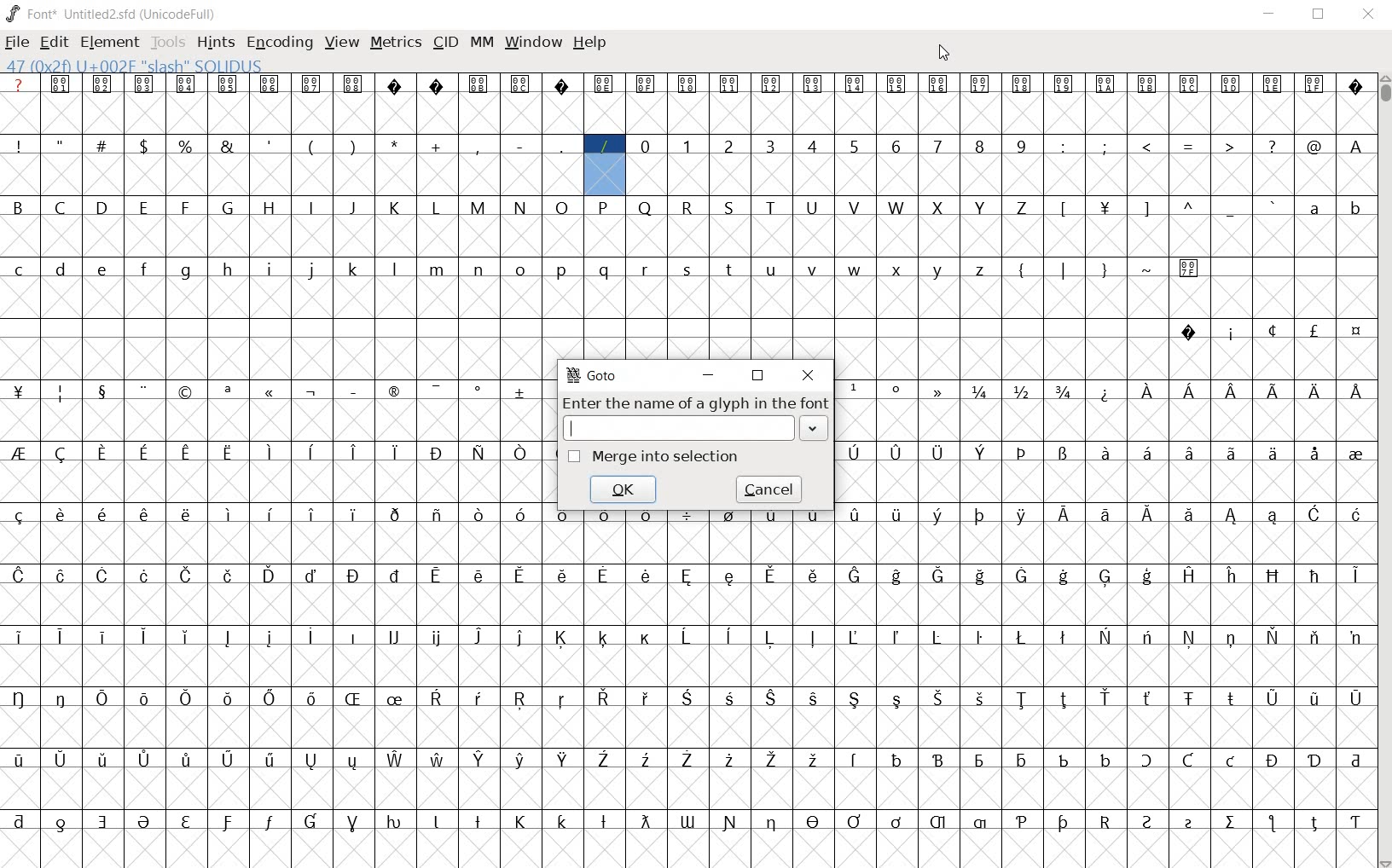 The height and width of the screenshot is (868, 1392). What do you see at coordinates (1231, 211) in the screenshot?
I see `glyph` at bounding box center [1231, 211].